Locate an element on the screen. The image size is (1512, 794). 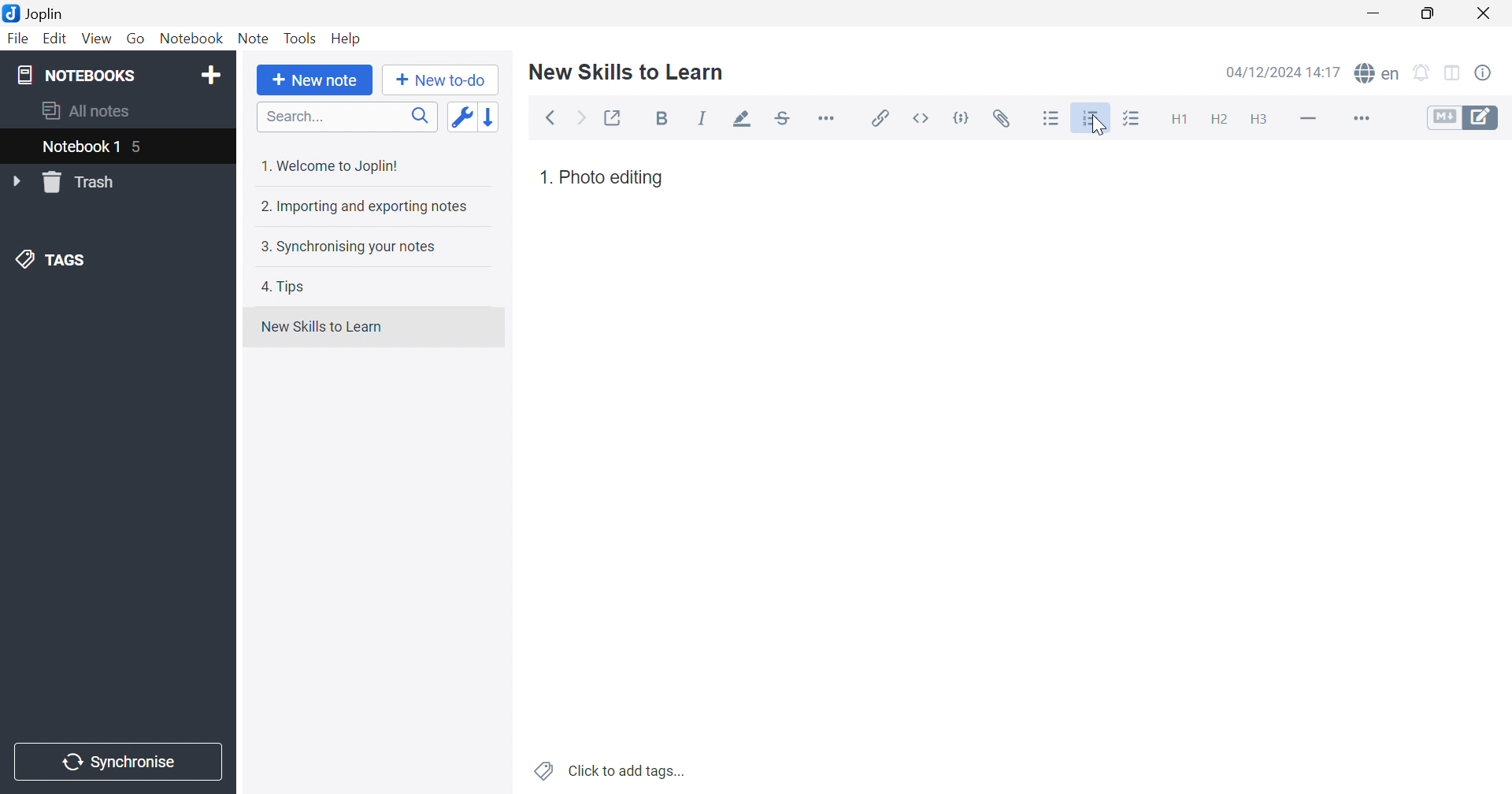
04/12/2024 is located at coordinates (1265, 74).